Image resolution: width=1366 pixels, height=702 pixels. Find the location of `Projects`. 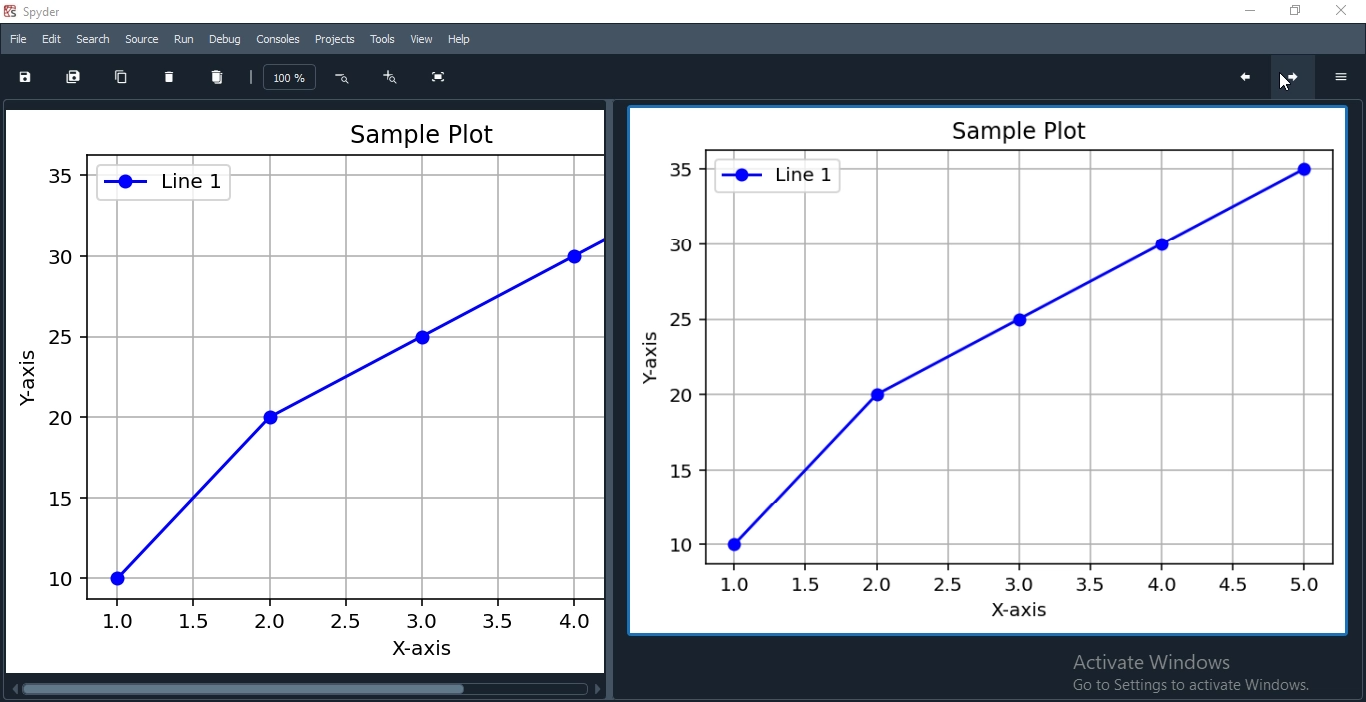

Projects is located at coordinates (335, 39).